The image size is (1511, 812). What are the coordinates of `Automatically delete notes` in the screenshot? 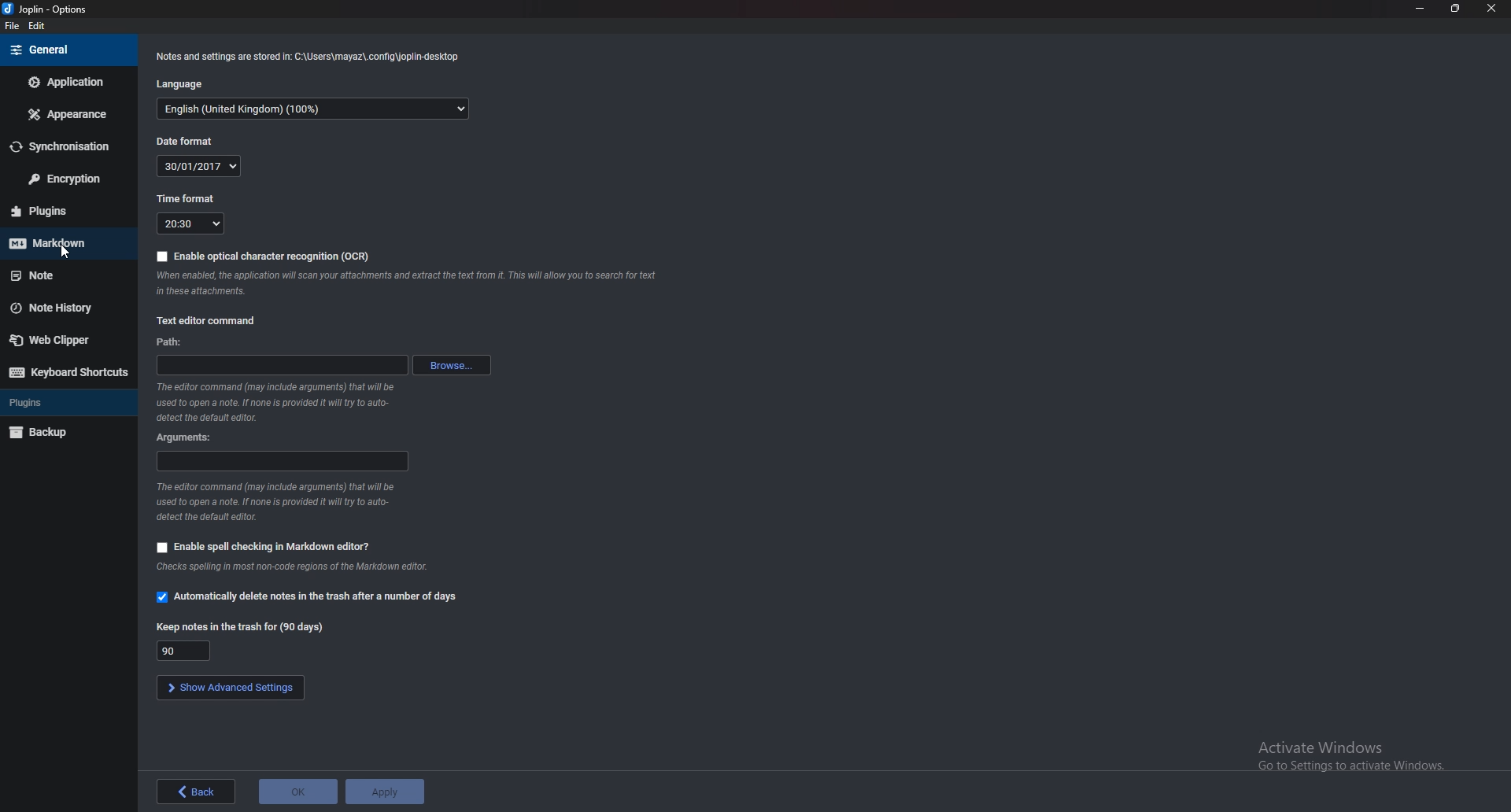 It's located at (323, 597).